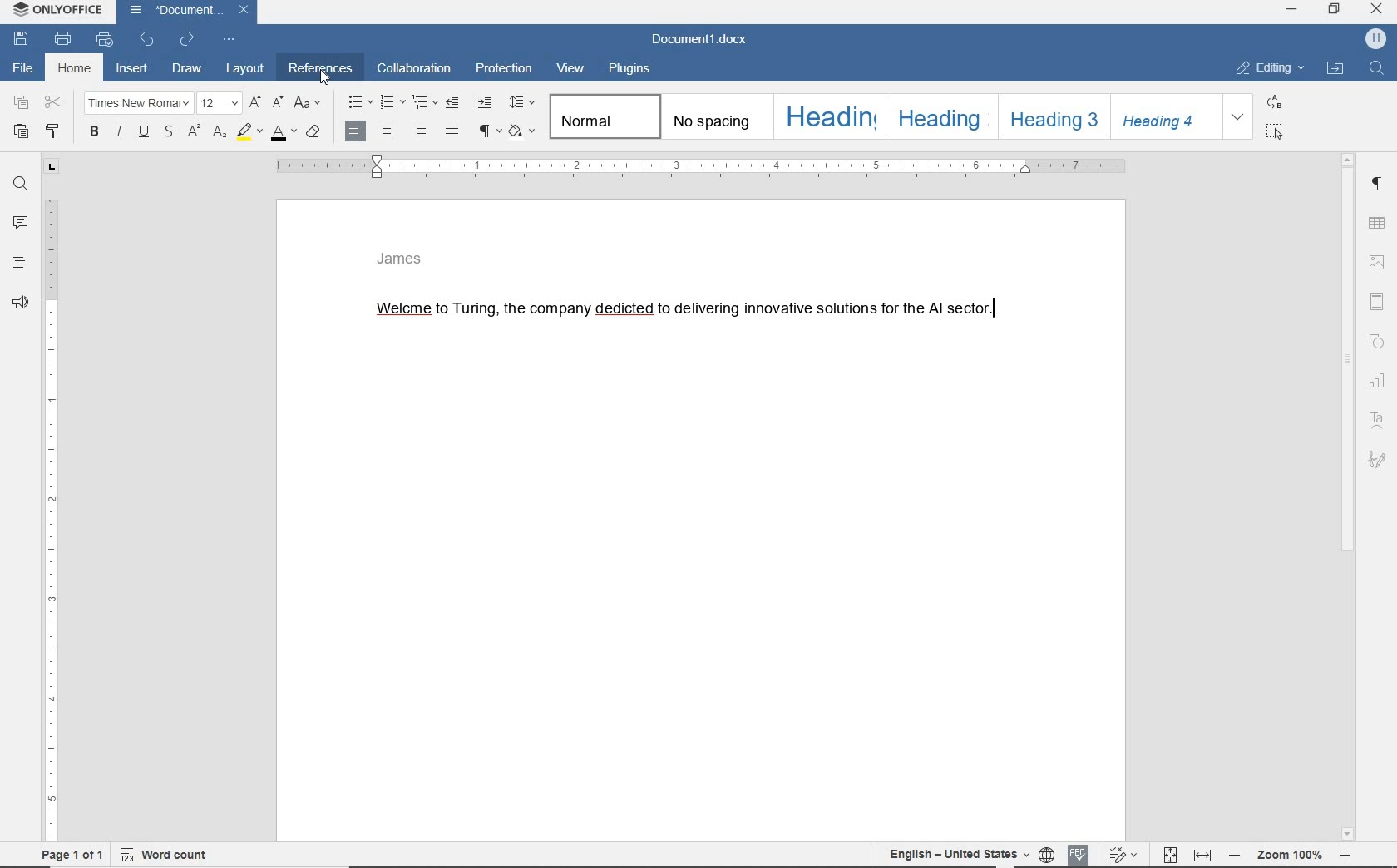 The height and width of the screenshot is (868, 1397). Describe the element at coordinates (103, 40) in the screenshot. I see `quick print` at that location.